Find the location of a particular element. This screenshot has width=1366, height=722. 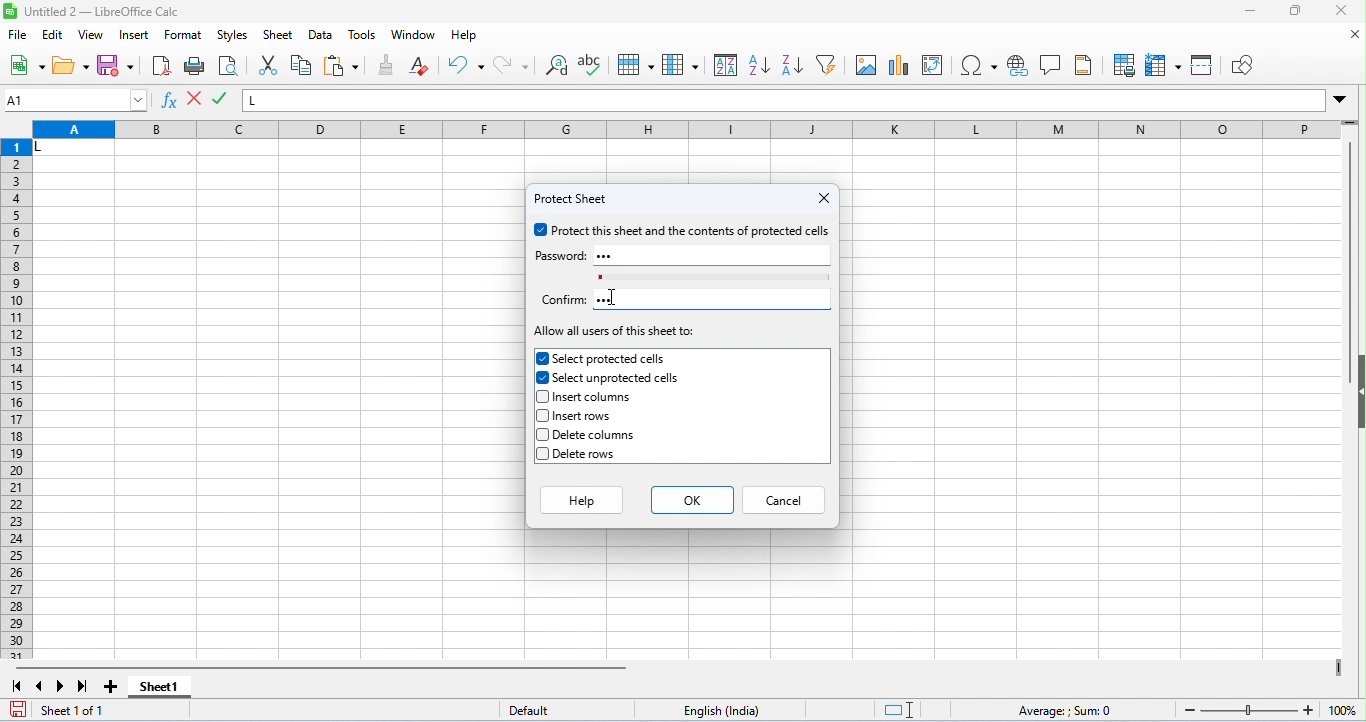

insert comment is located at coordinates (1052, 65).